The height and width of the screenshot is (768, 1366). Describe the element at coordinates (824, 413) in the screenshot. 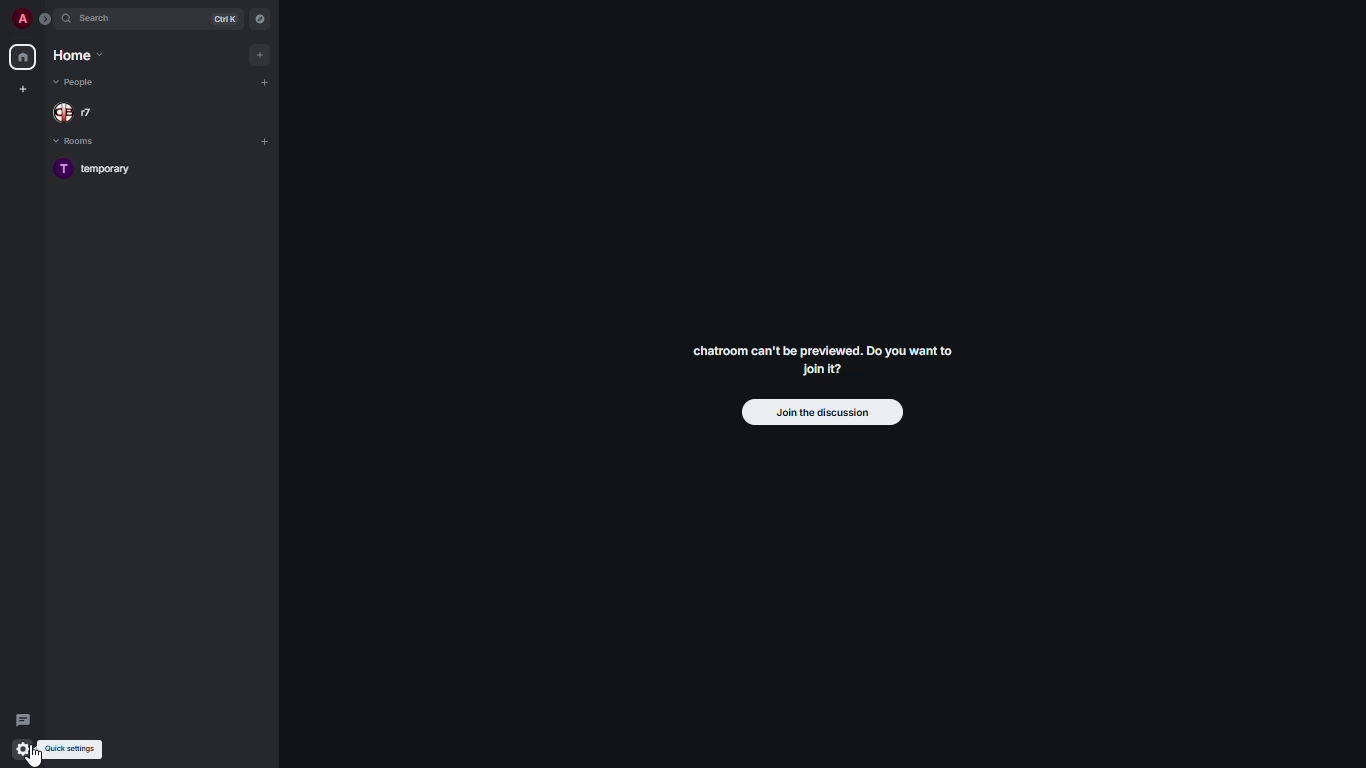

I see `join the discussion` at that location.